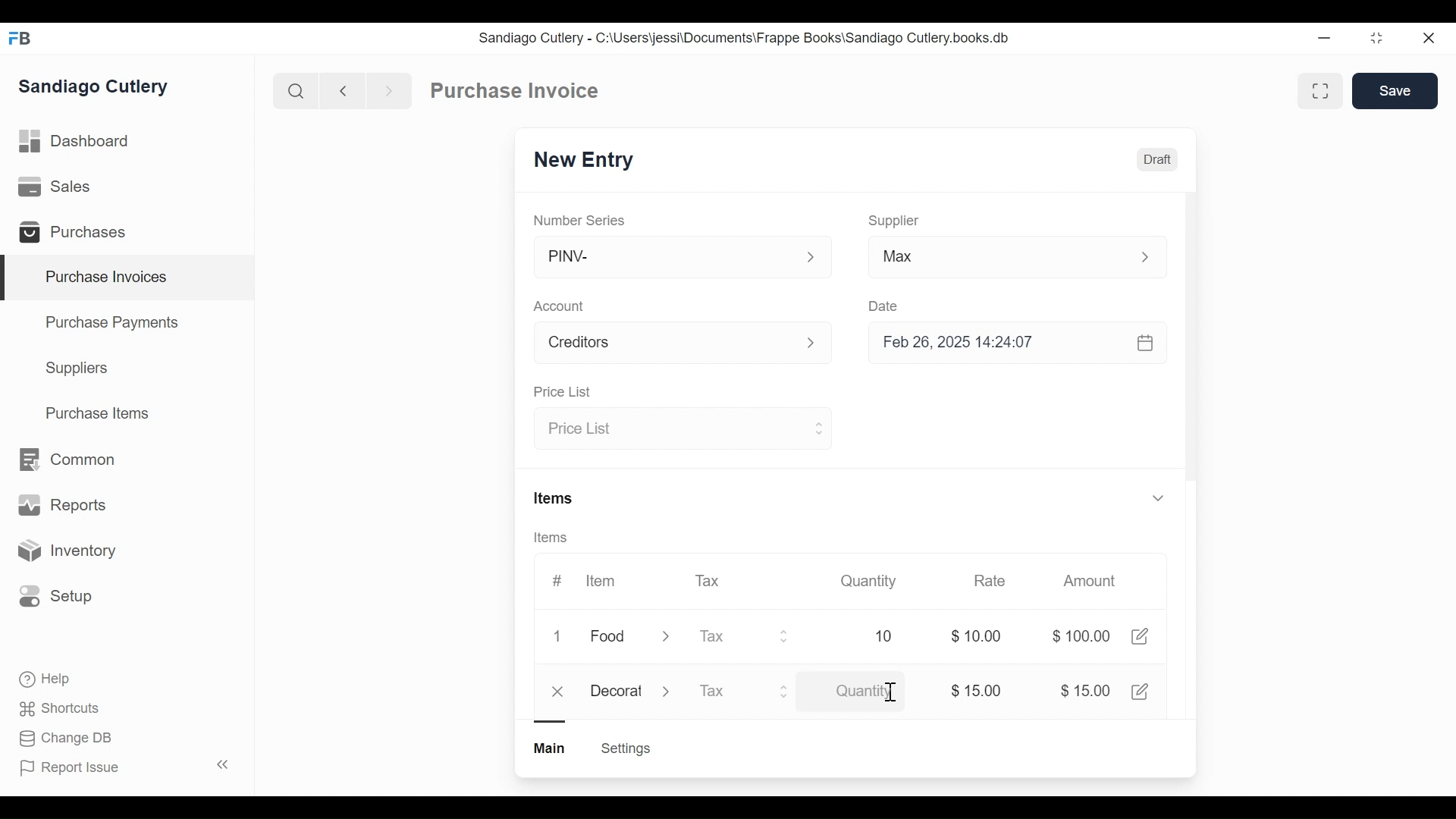 The width and height of the screenshot is (1456, 819). I want to click on Suppliers, so click(77, 369).